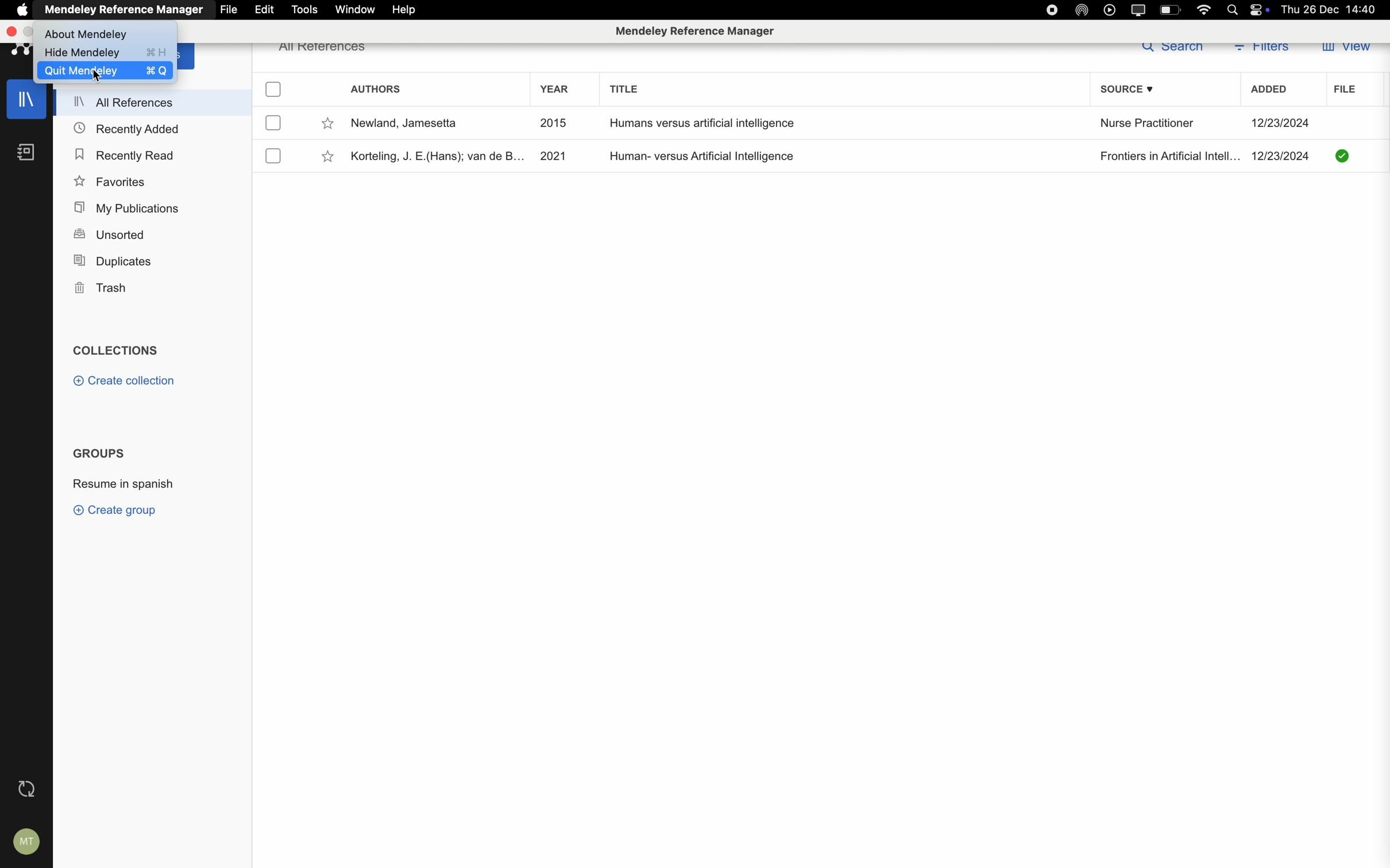 This screenshot has width=1390, height=868. What do you see at coordinates (227, 10) in the screenshot?
I see `file` at bounding box center [227, 10].